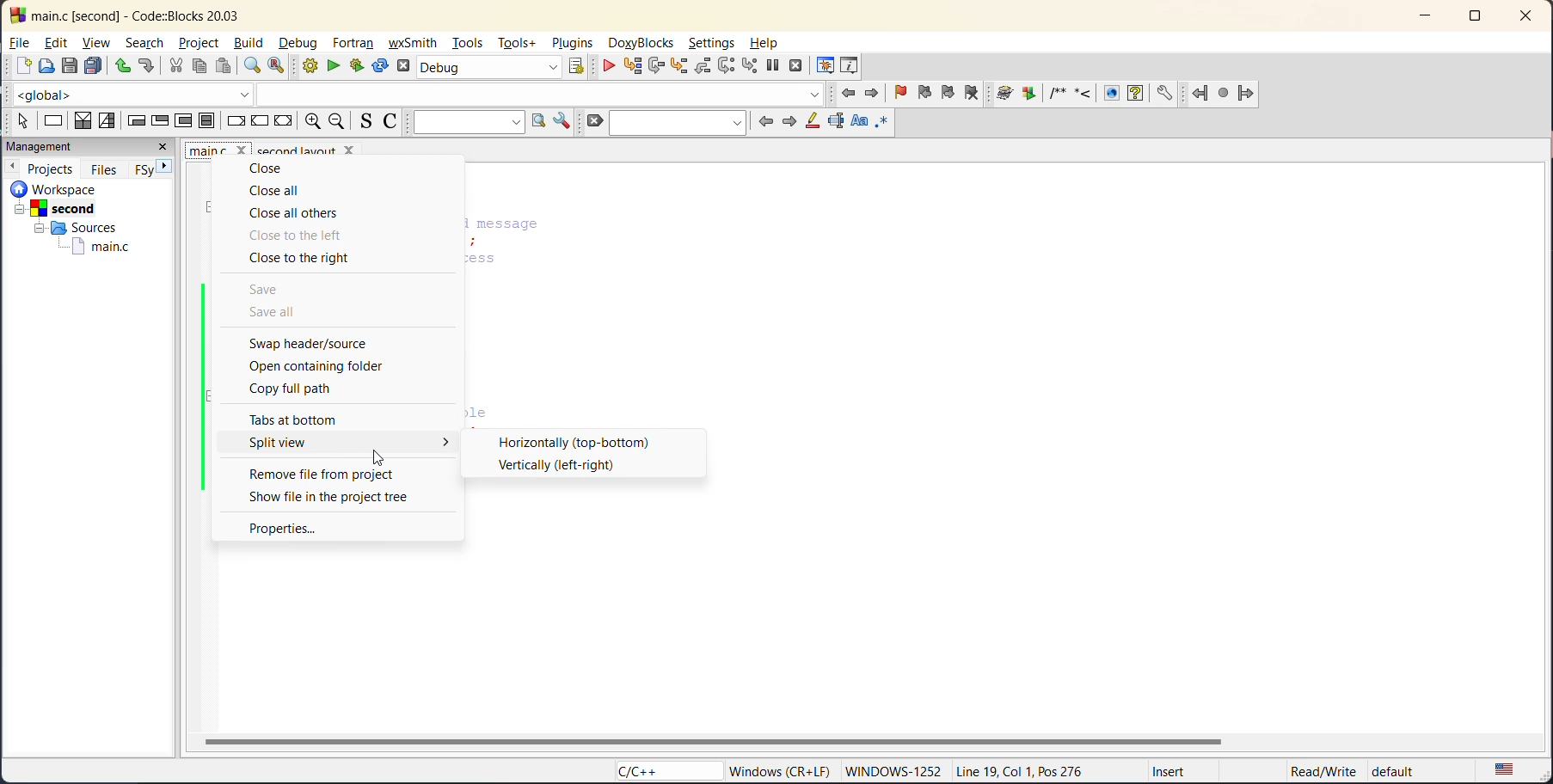 This screenshot has width=1553, height=784. Describe the element at coordinates (948, 95) in the screenshot. I see `next bookmark` at that location.